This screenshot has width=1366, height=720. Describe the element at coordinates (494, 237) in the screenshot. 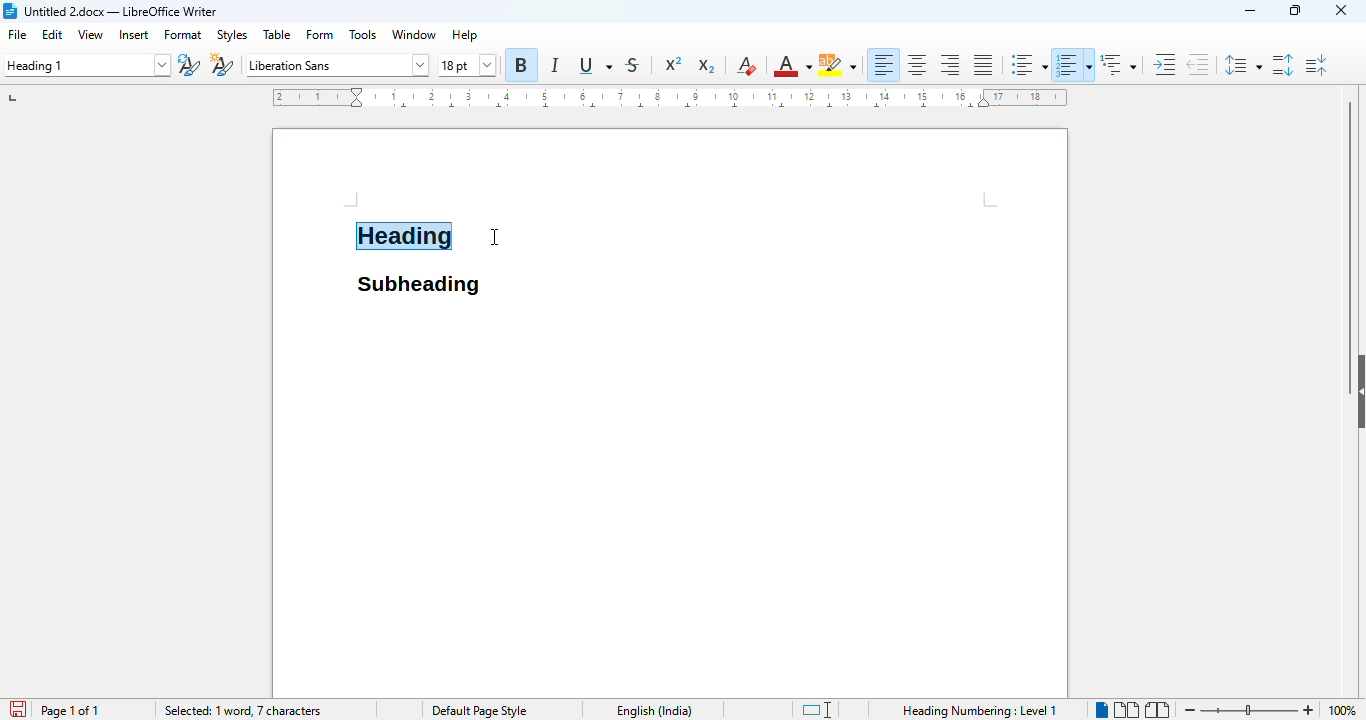

I see `cursor` at that location.